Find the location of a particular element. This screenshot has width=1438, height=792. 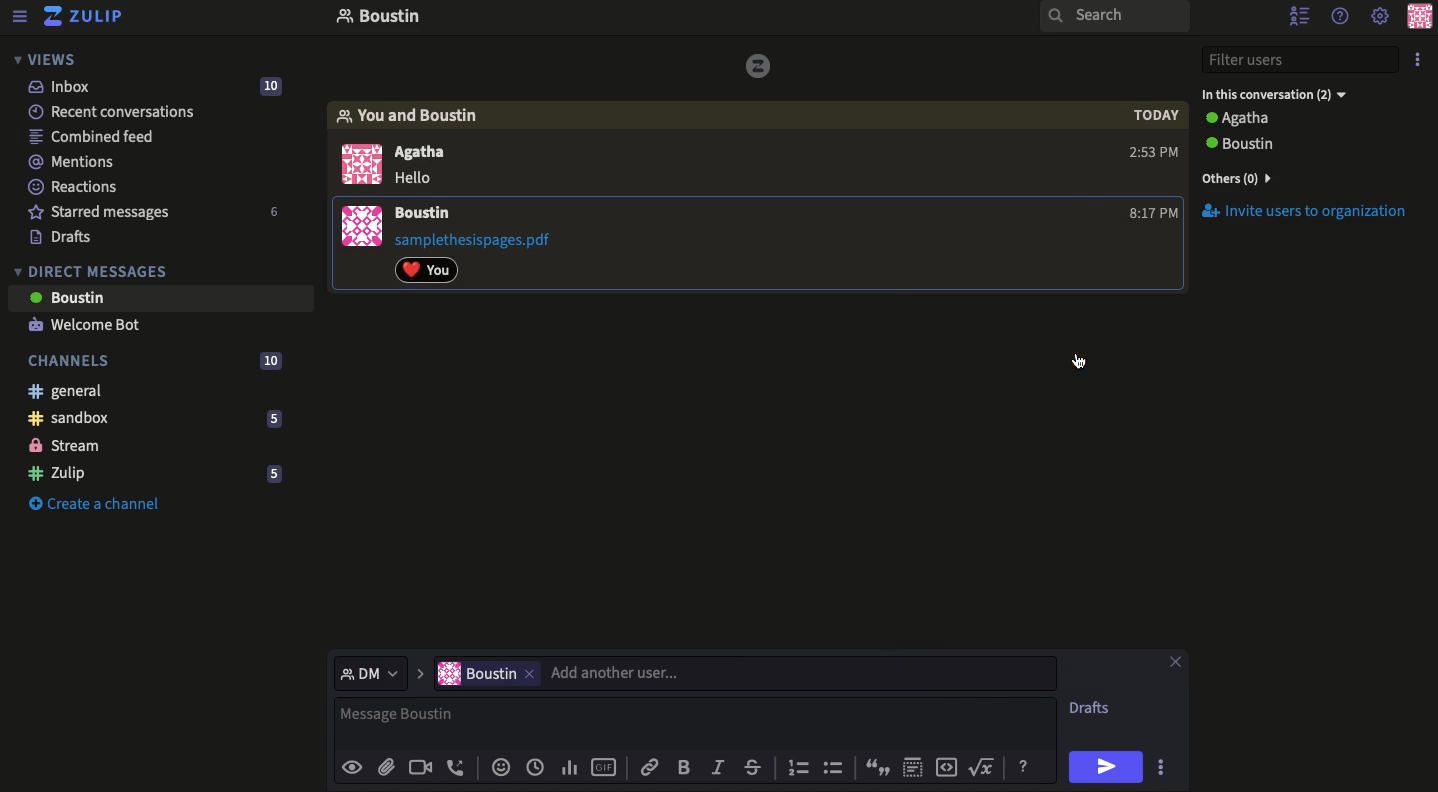

Bulleted list is located at coordinates (834, 767).